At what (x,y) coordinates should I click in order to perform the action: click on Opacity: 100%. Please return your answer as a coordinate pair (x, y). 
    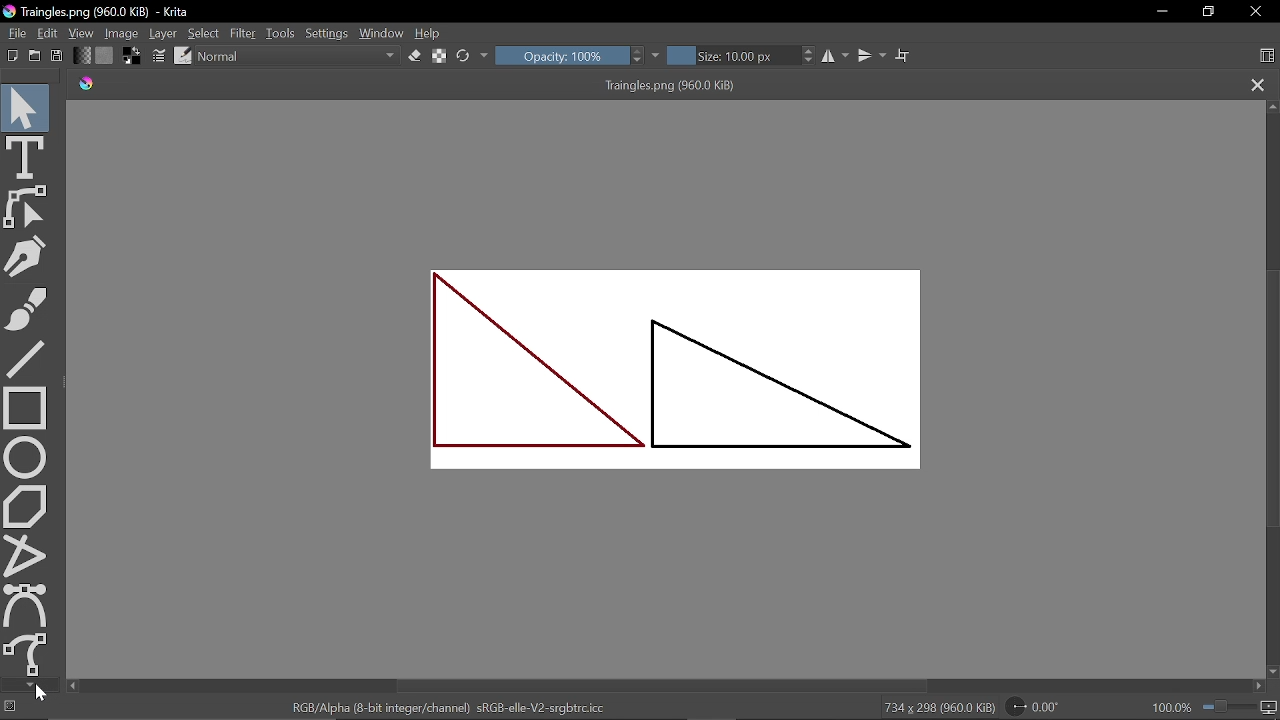
    Looking at the image, I should click on (561, 55).